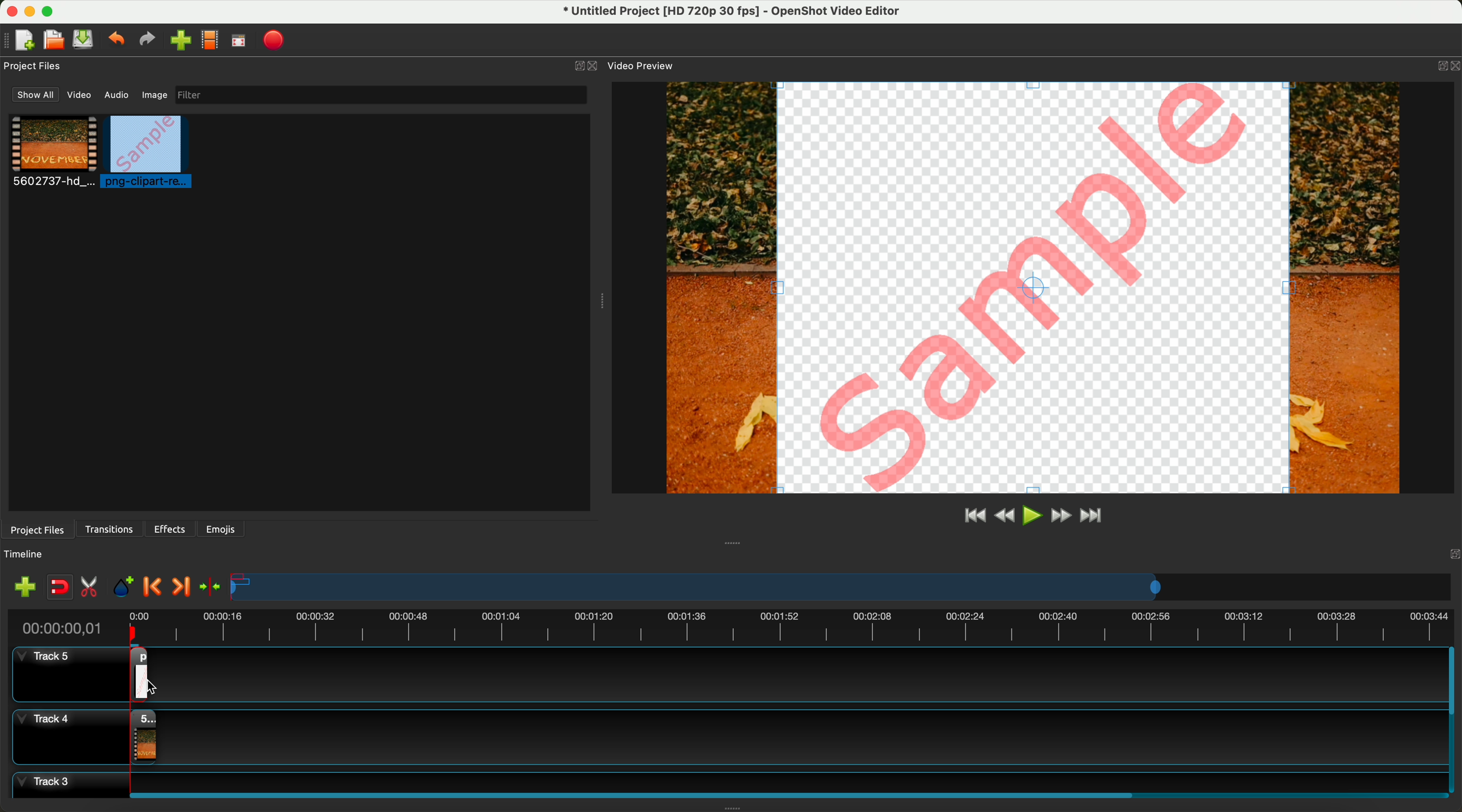 This screenshot has height=812, width=1462. Describe the element at coordinates (150, 41) in the screenshot. I see `redo` at that location.